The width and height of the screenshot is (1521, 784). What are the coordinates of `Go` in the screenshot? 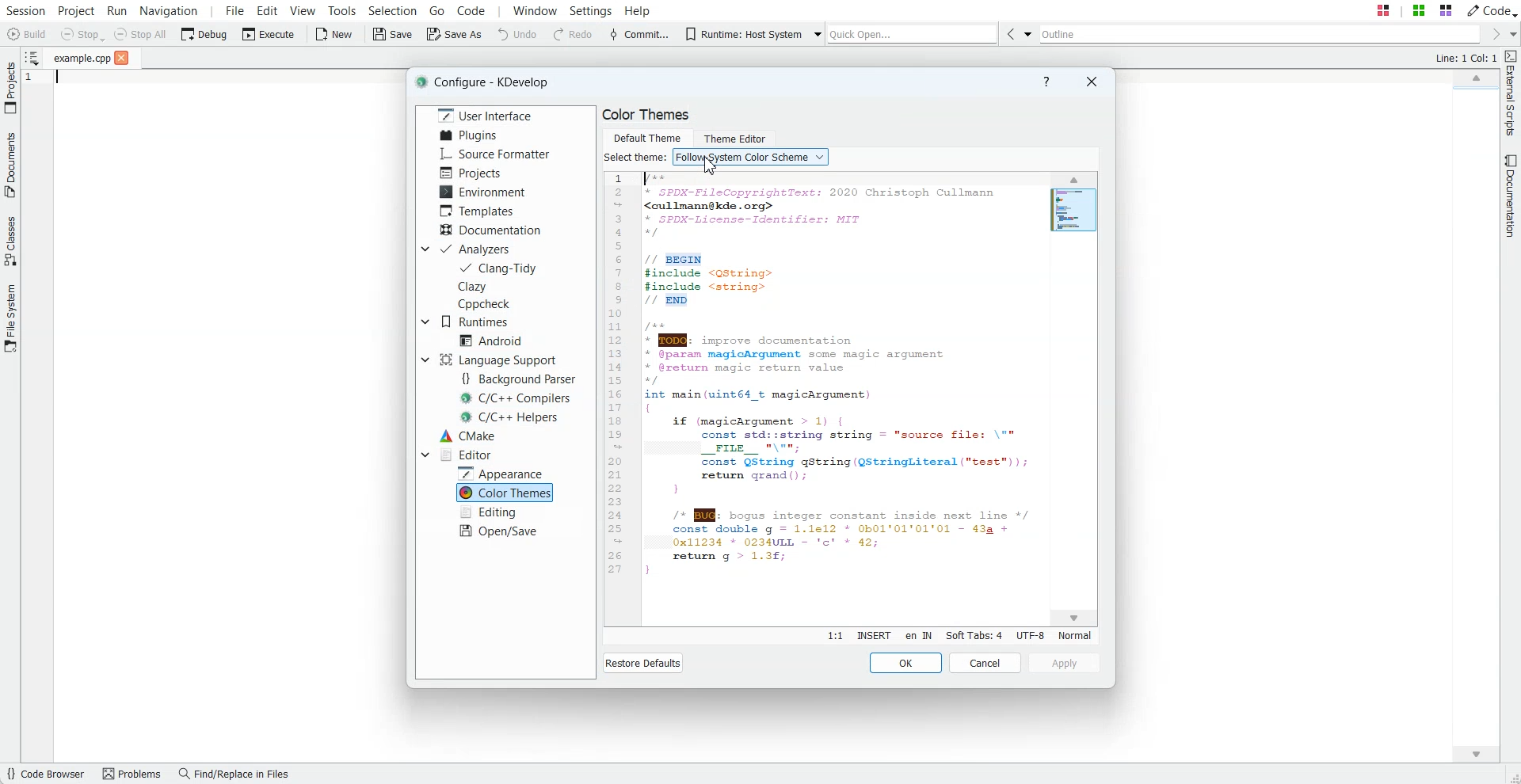 It's located at (437, 10).